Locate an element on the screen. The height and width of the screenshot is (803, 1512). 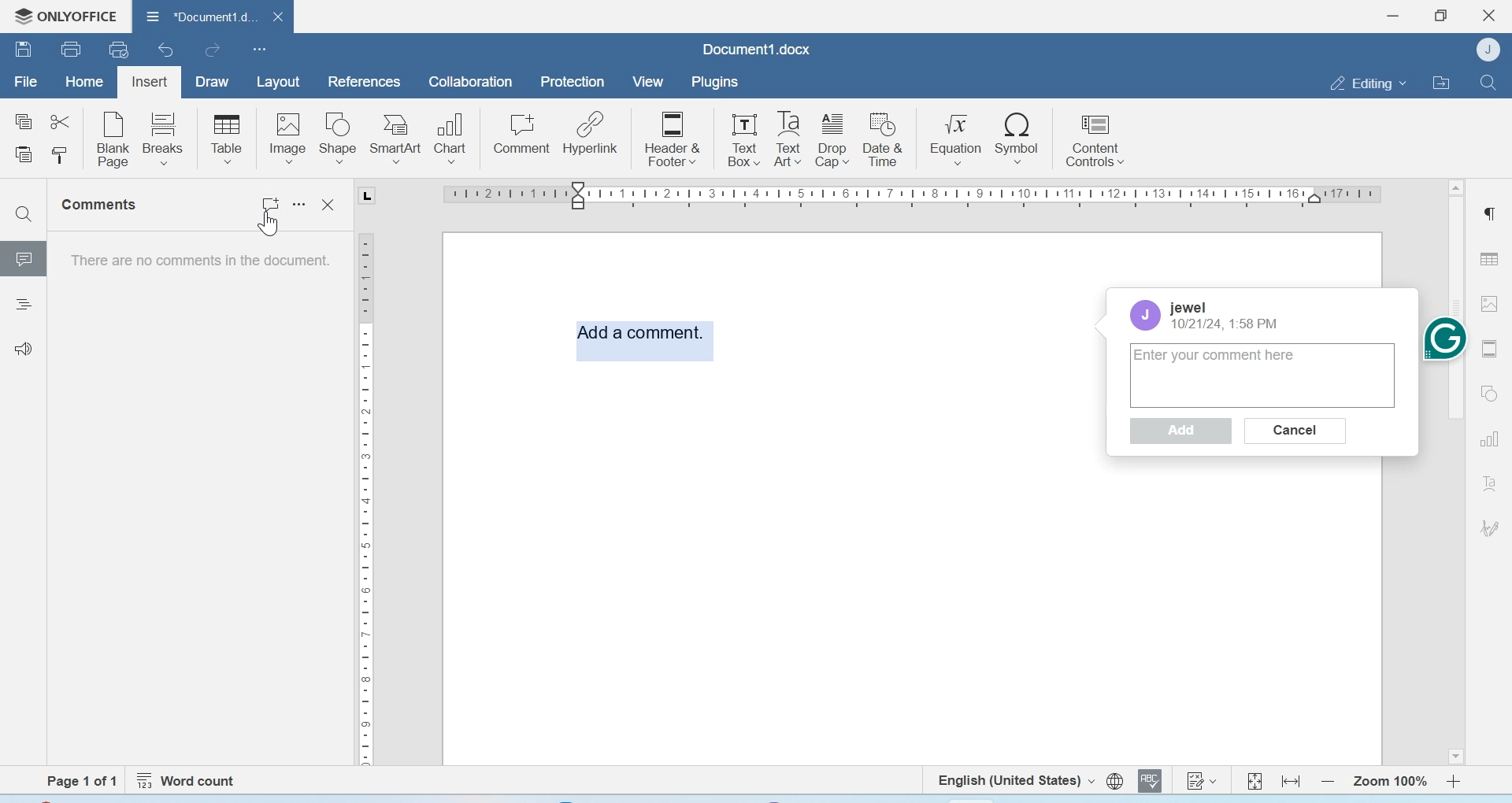
Shape is located at coordinates (339, 139).